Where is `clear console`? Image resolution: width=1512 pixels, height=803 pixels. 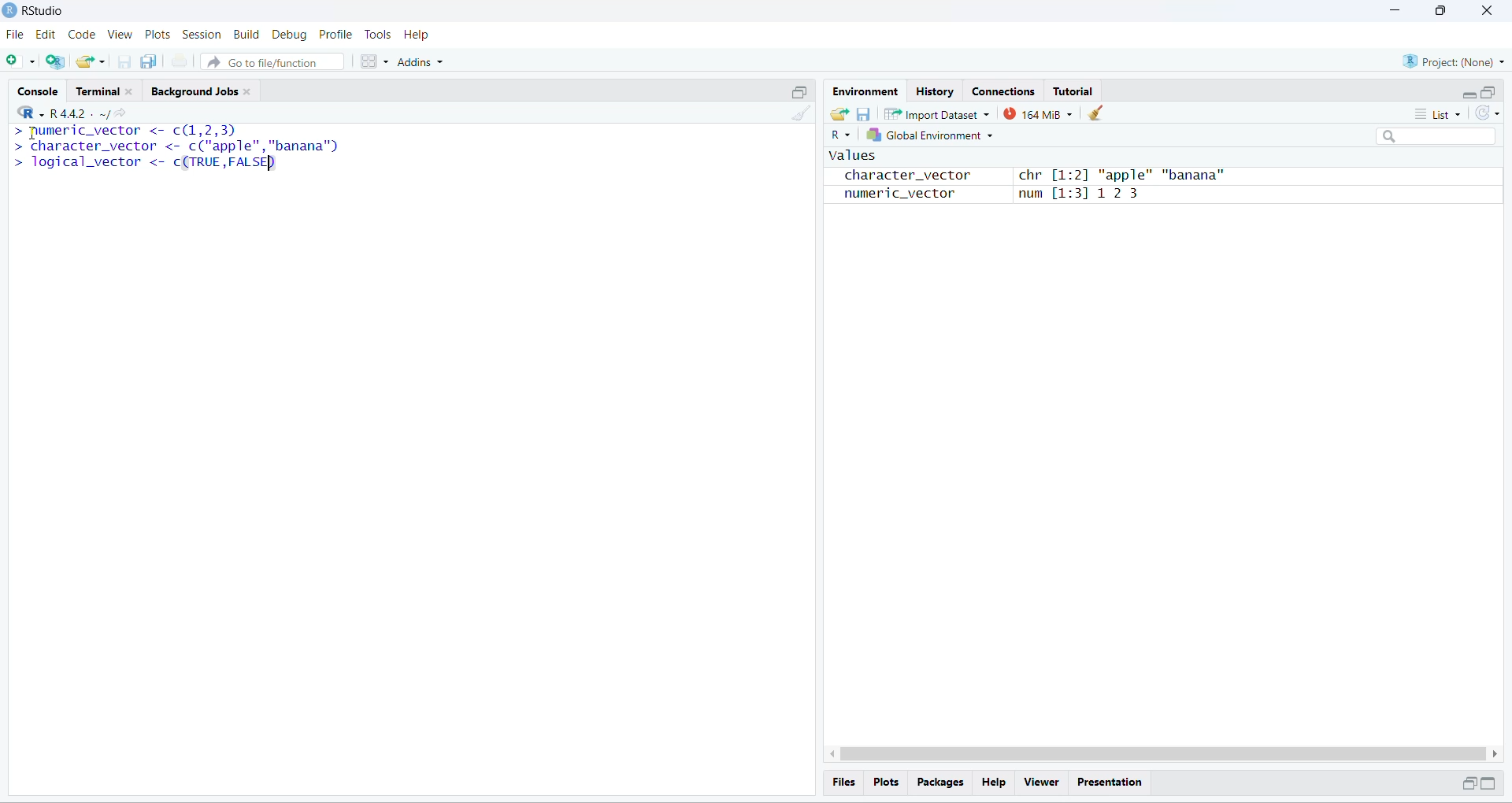 clear console is located at coordinates (804, 114).